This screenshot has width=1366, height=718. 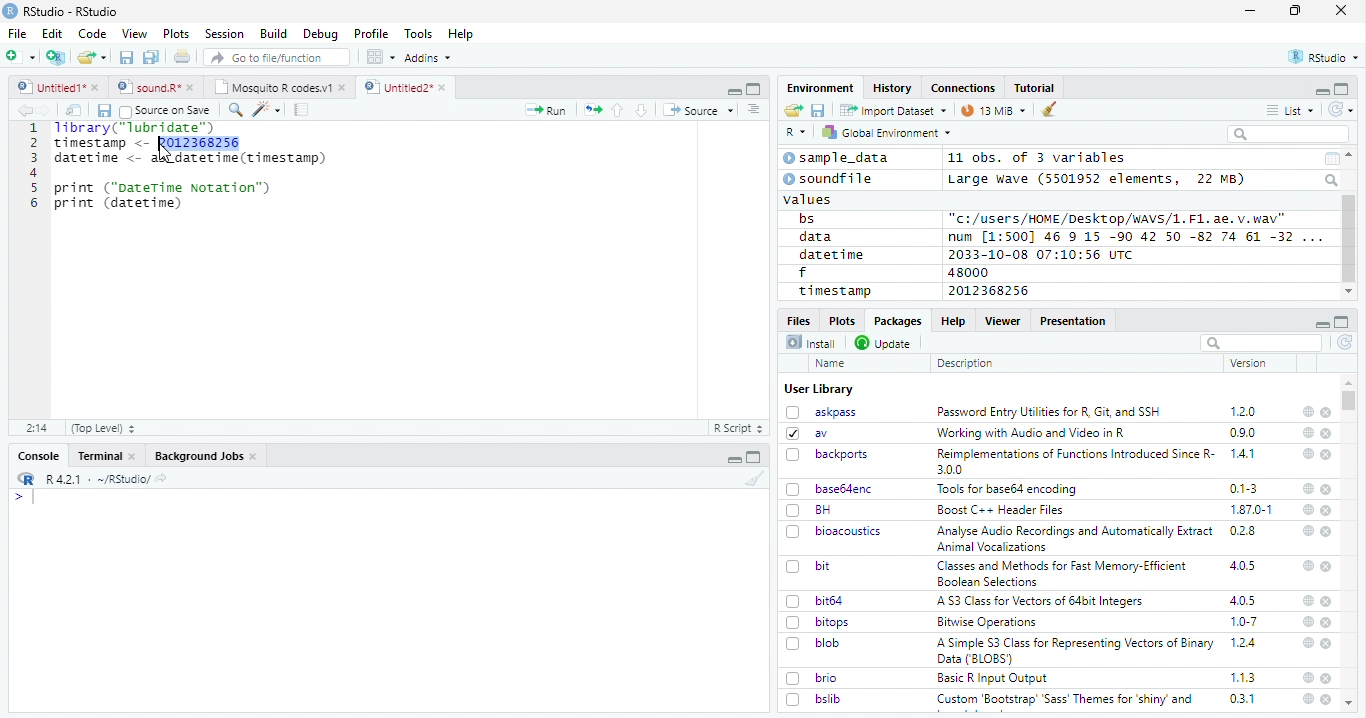 I want to click on Large wave (5501952 elements, 22 MB), so click(x=1099, y=179).